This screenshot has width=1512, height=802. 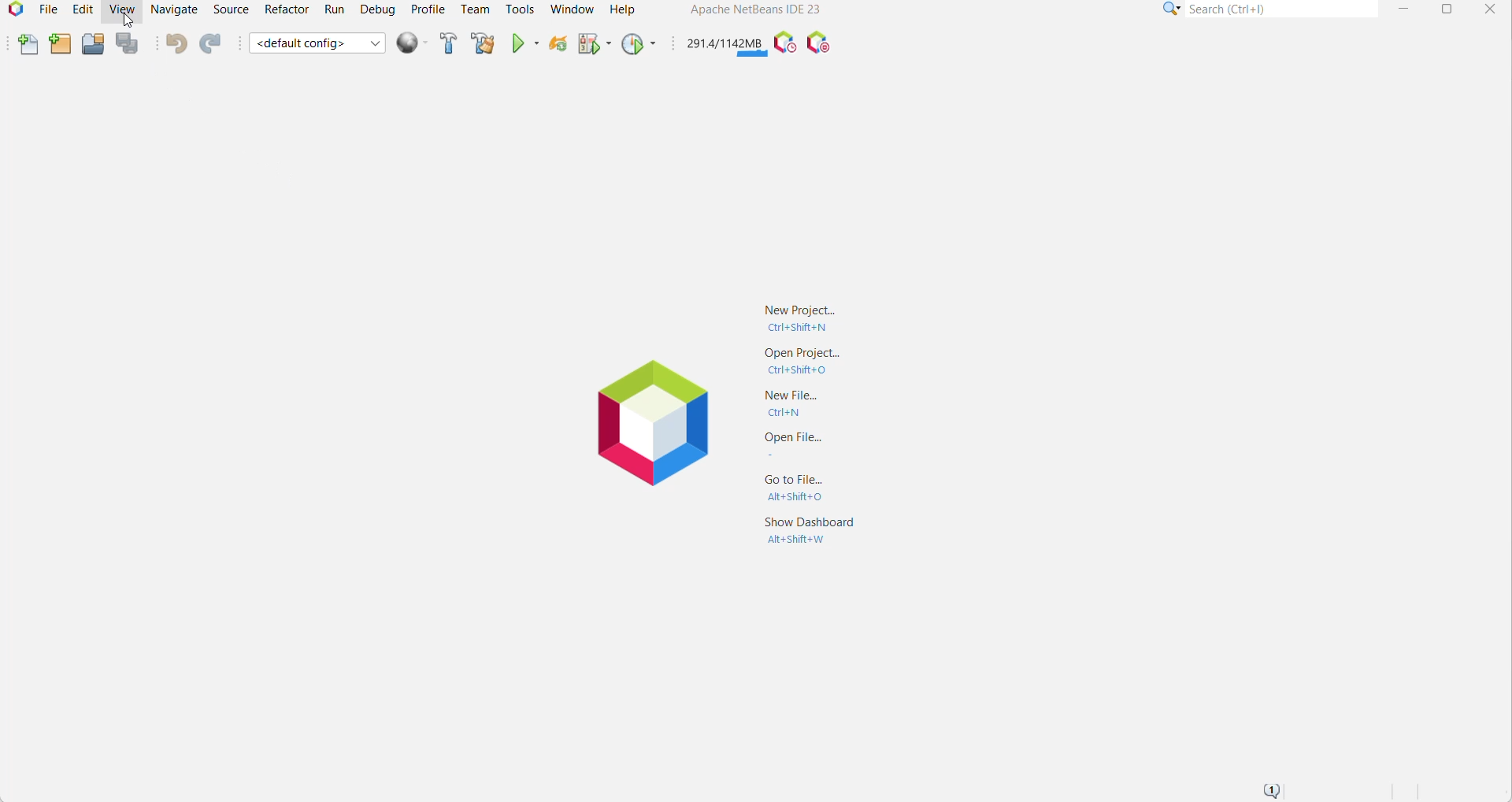 What do you see at coordinates (806, 445) in the screenshot?
I see `Open File` at bounding box center [806, 445].